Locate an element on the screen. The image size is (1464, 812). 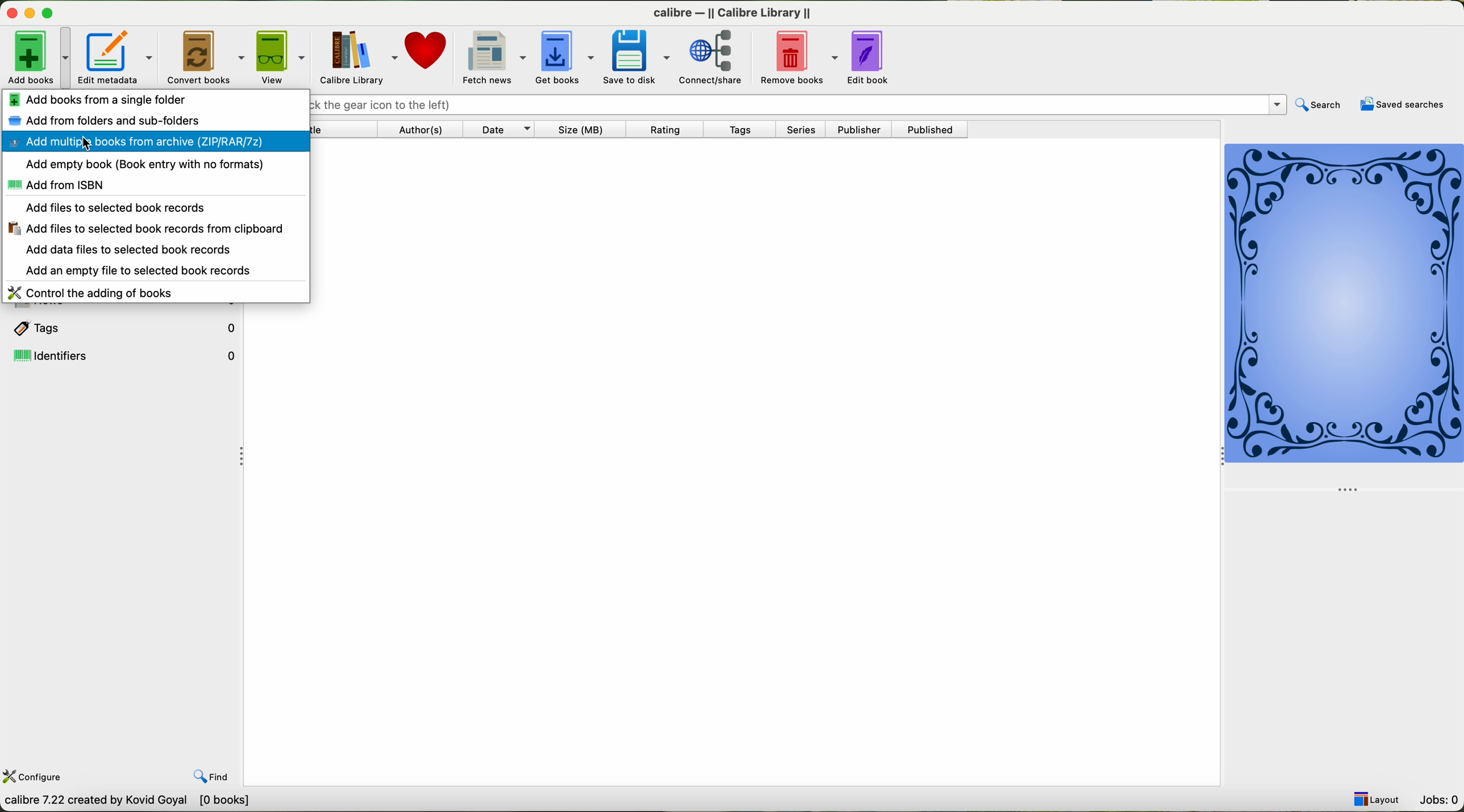
fetch news is located at coordinates (493, 57).